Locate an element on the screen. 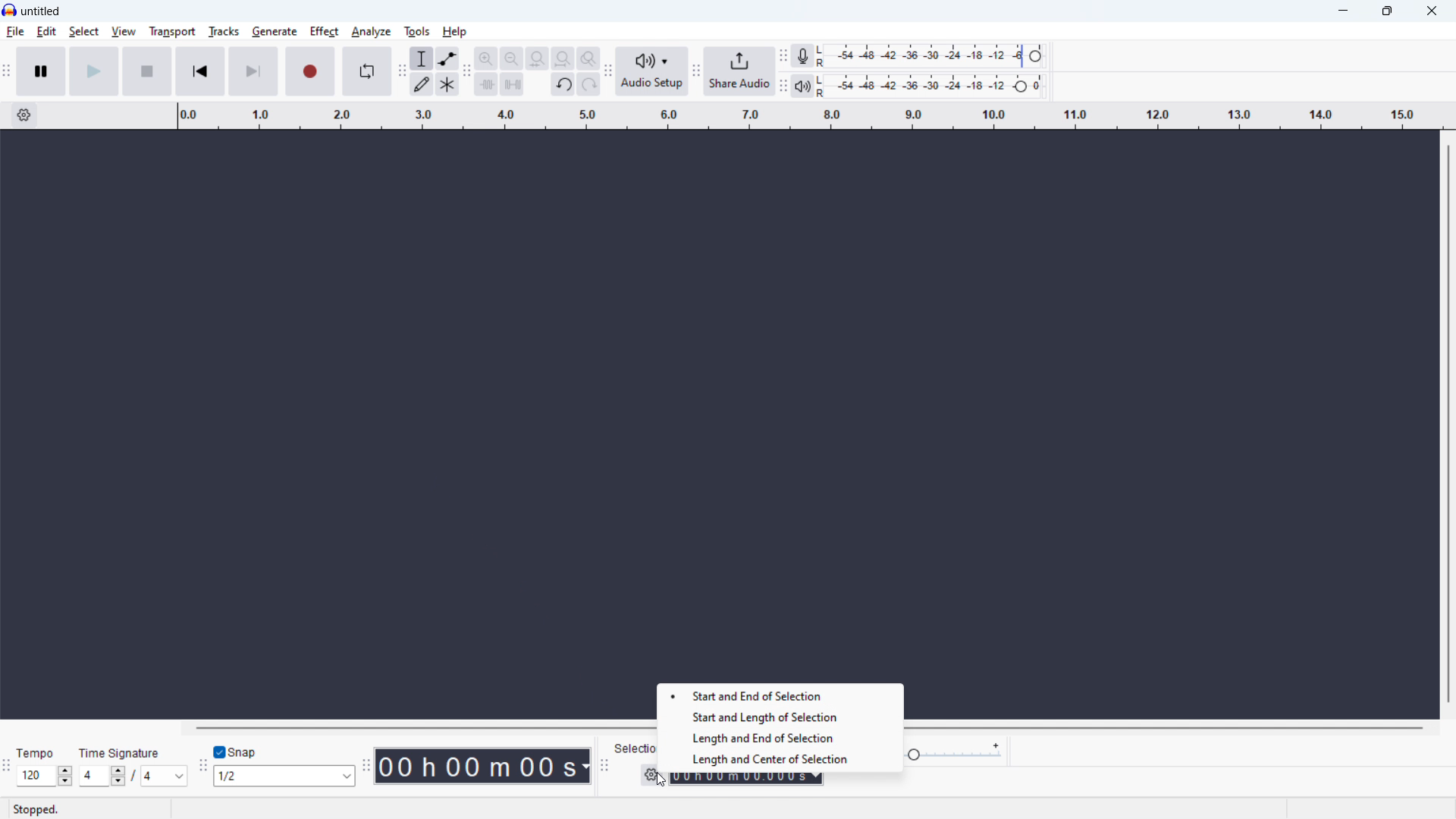  time signature is located at coordinates (121, 754).